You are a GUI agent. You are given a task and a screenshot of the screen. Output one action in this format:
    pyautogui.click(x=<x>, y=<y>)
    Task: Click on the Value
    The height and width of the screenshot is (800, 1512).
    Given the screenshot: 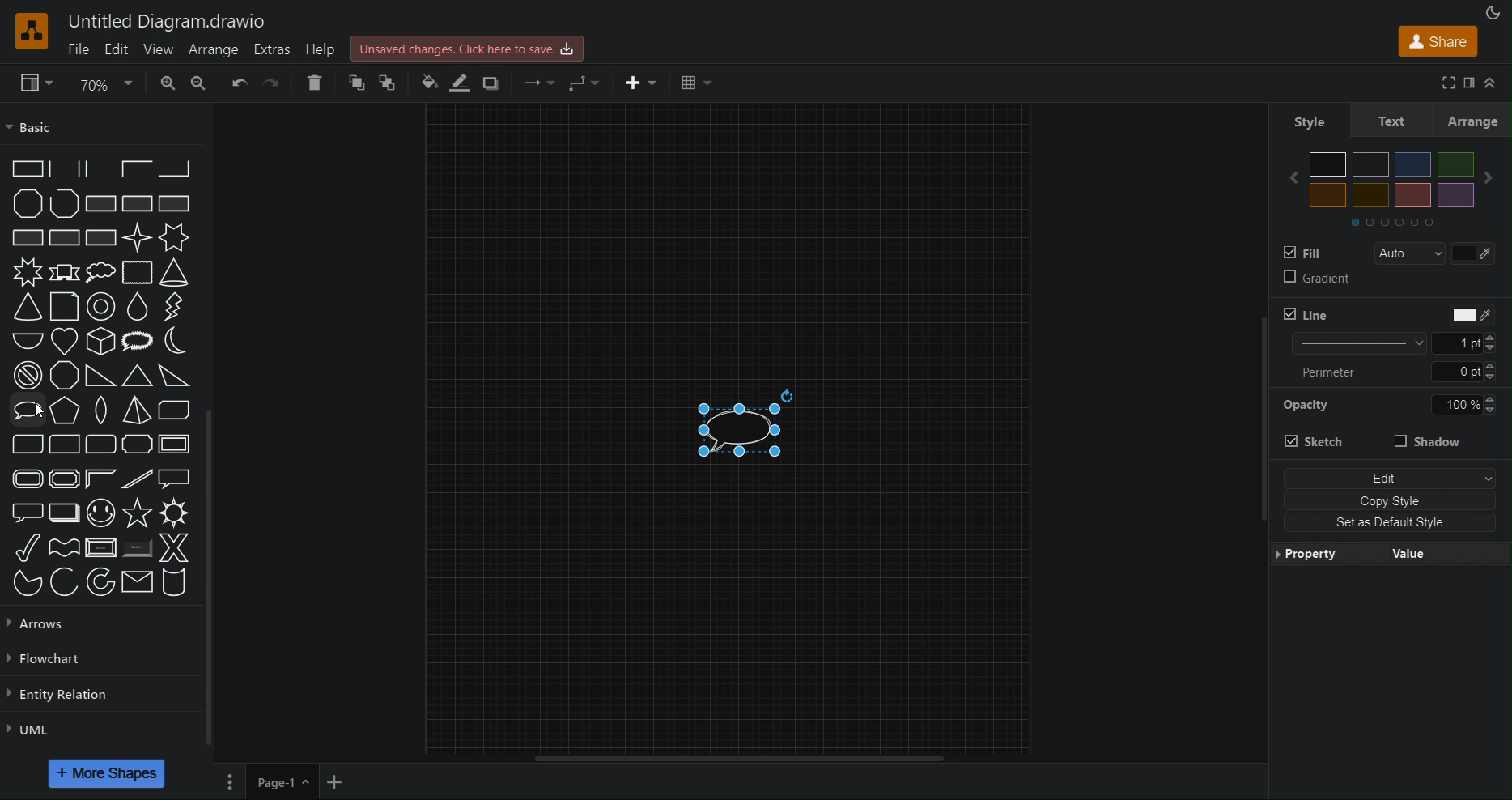 What is the action you would take?
    pyautogui.click(x=1449, y=556)
    